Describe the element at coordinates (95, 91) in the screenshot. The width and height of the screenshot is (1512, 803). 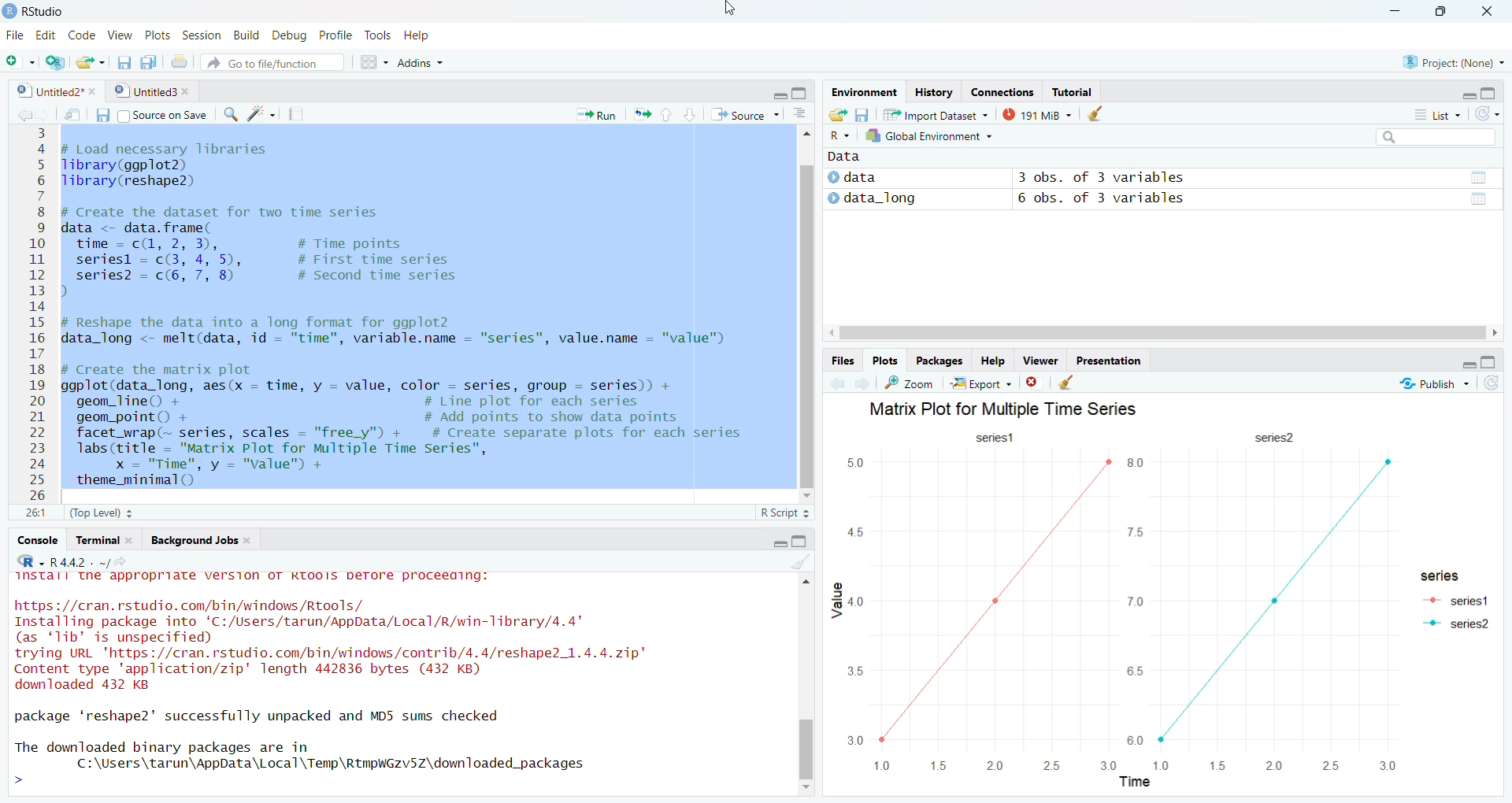
I see `close` at that location.